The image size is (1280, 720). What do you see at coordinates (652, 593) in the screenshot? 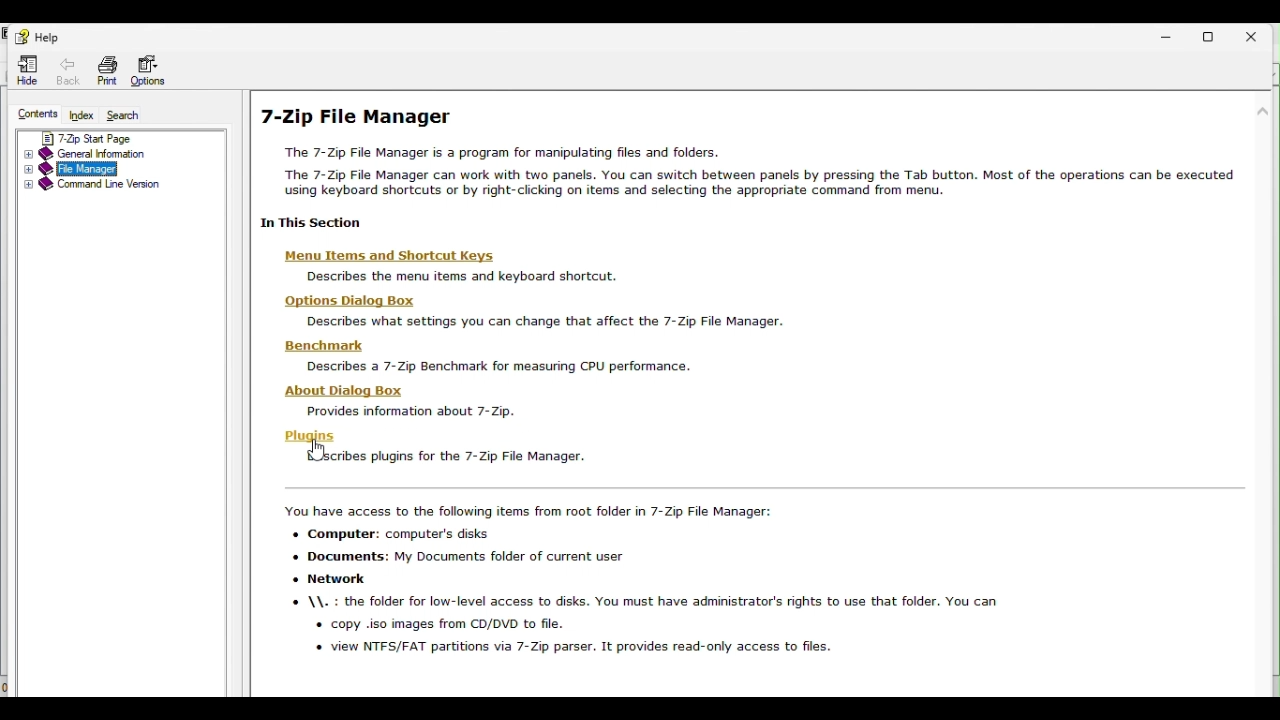
I see `Text` at bounding box center [652, 593].